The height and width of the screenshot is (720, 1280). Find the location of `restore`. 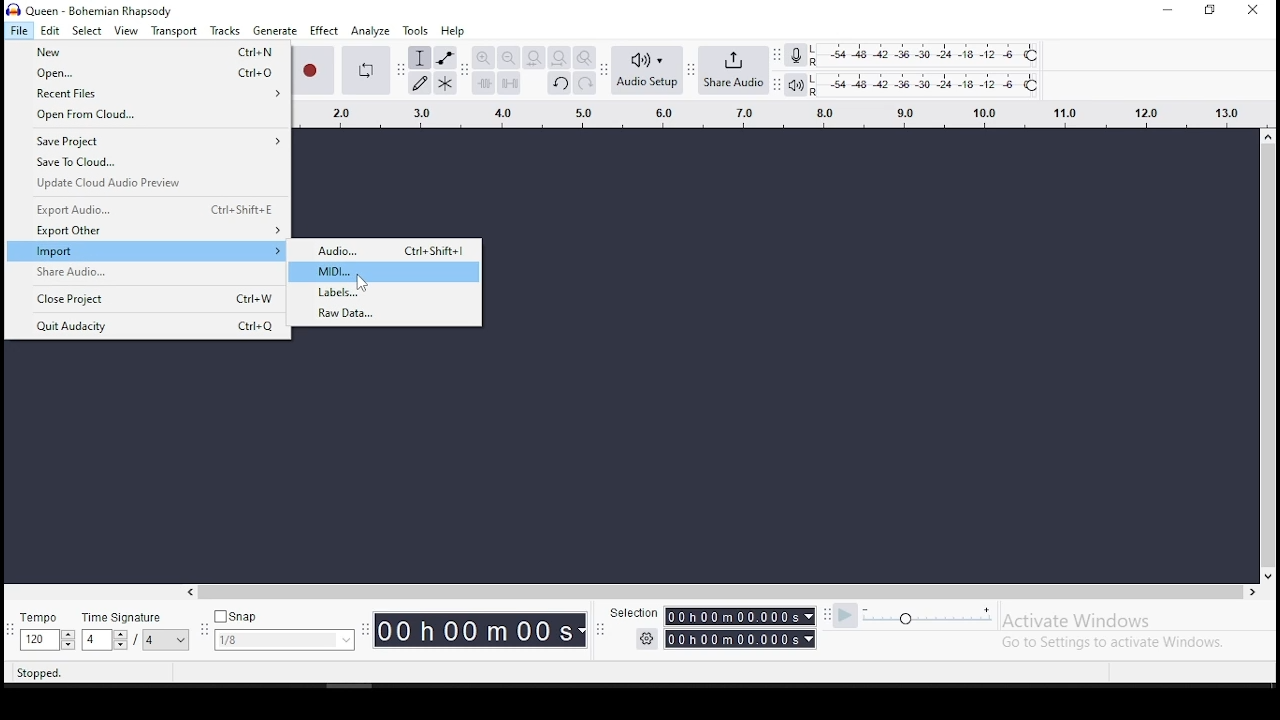

restore is located at coordinates (1212, 9).